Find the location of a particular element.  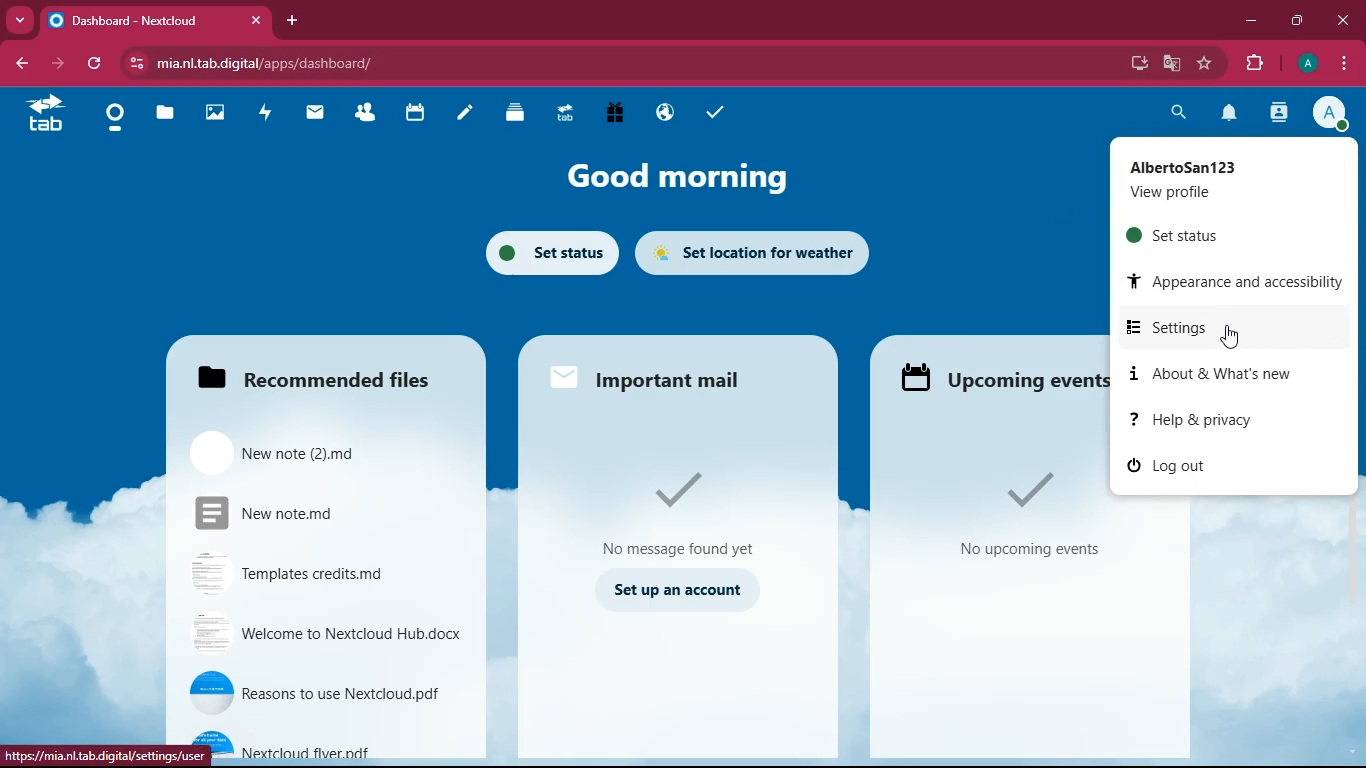

Upgrade is located at coordinates (566, 115).